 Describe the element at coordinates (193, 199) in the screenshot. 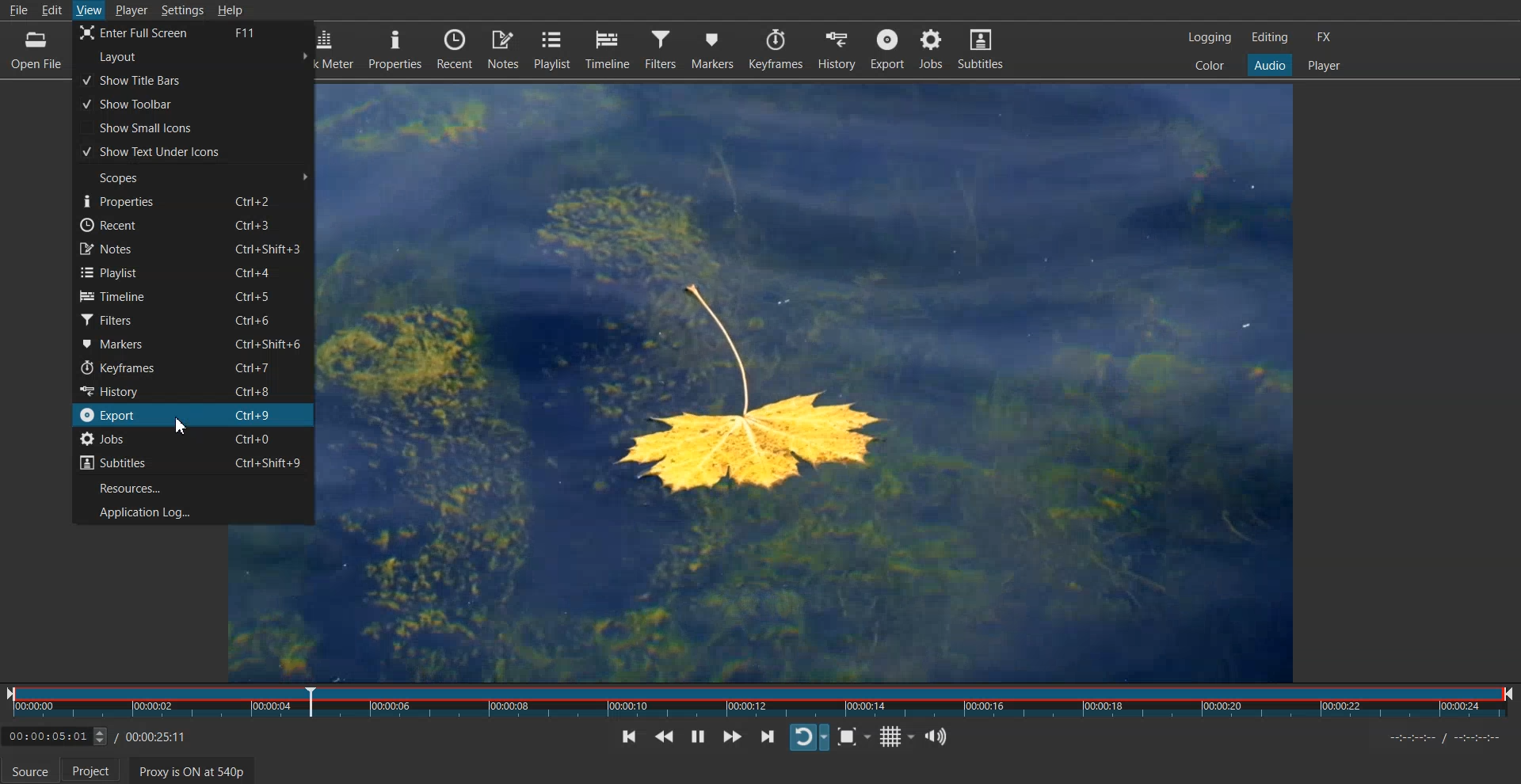

I see `Properties` at that location.